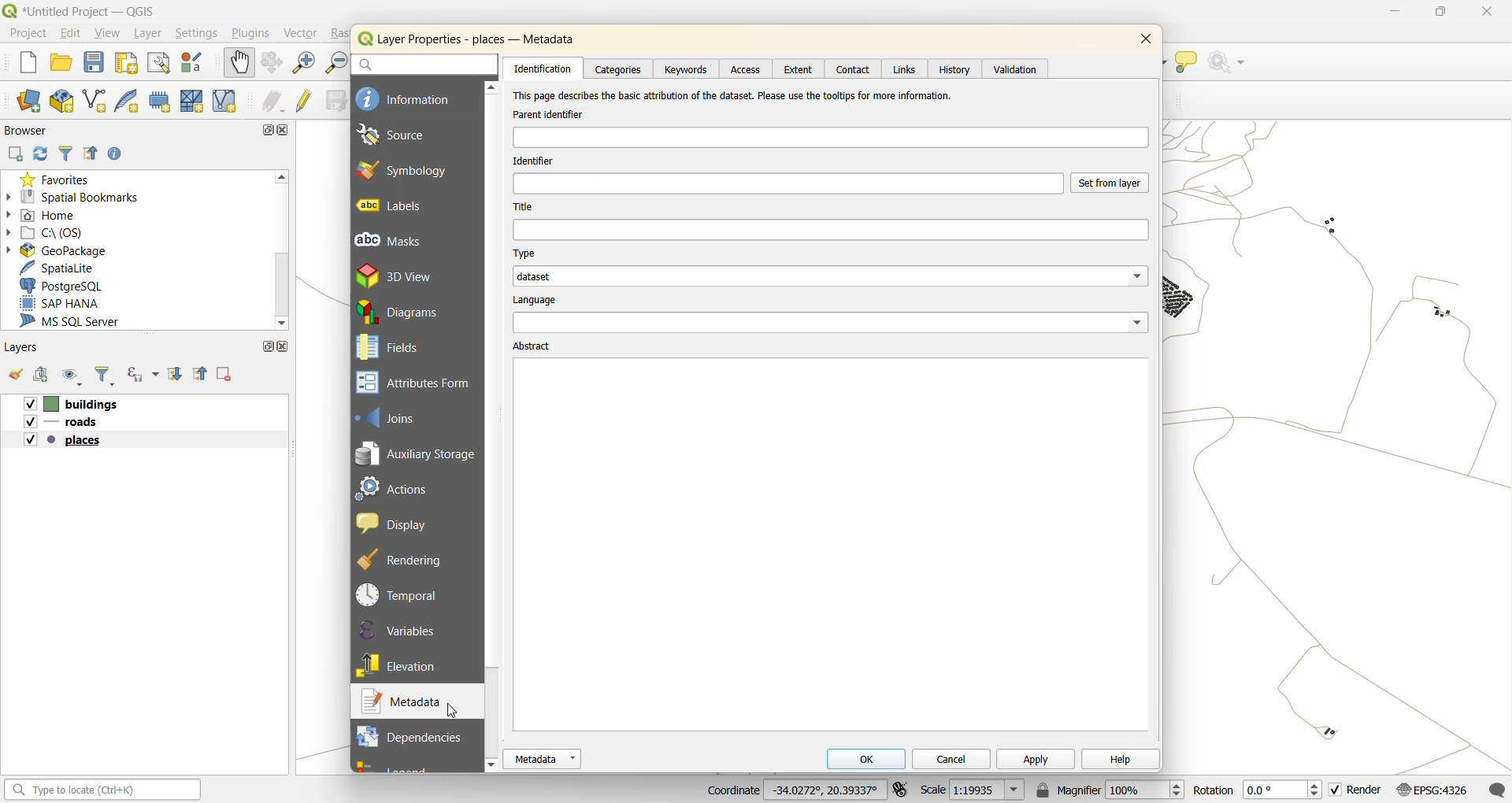 The width and height of the screenshot is (1512, 803). I want to click on apply, so click(1030, 756).